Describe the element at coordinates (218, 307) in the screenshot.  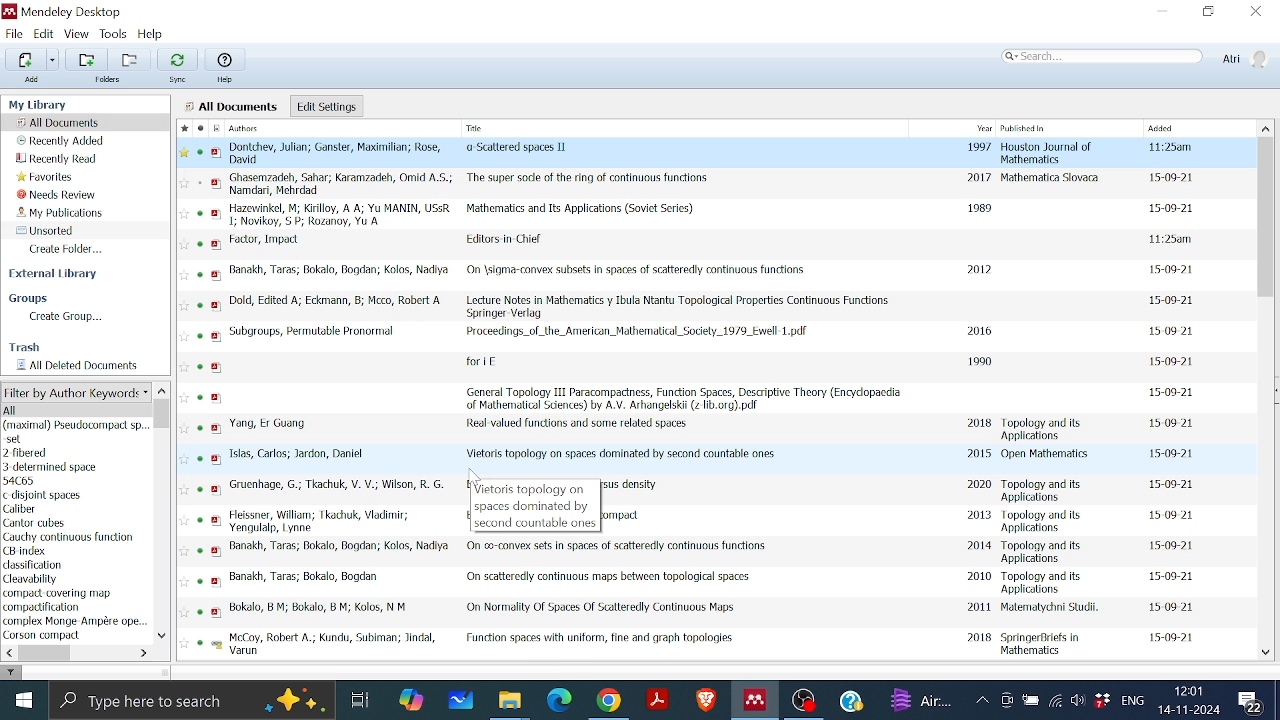
I see `pdf` at that location.